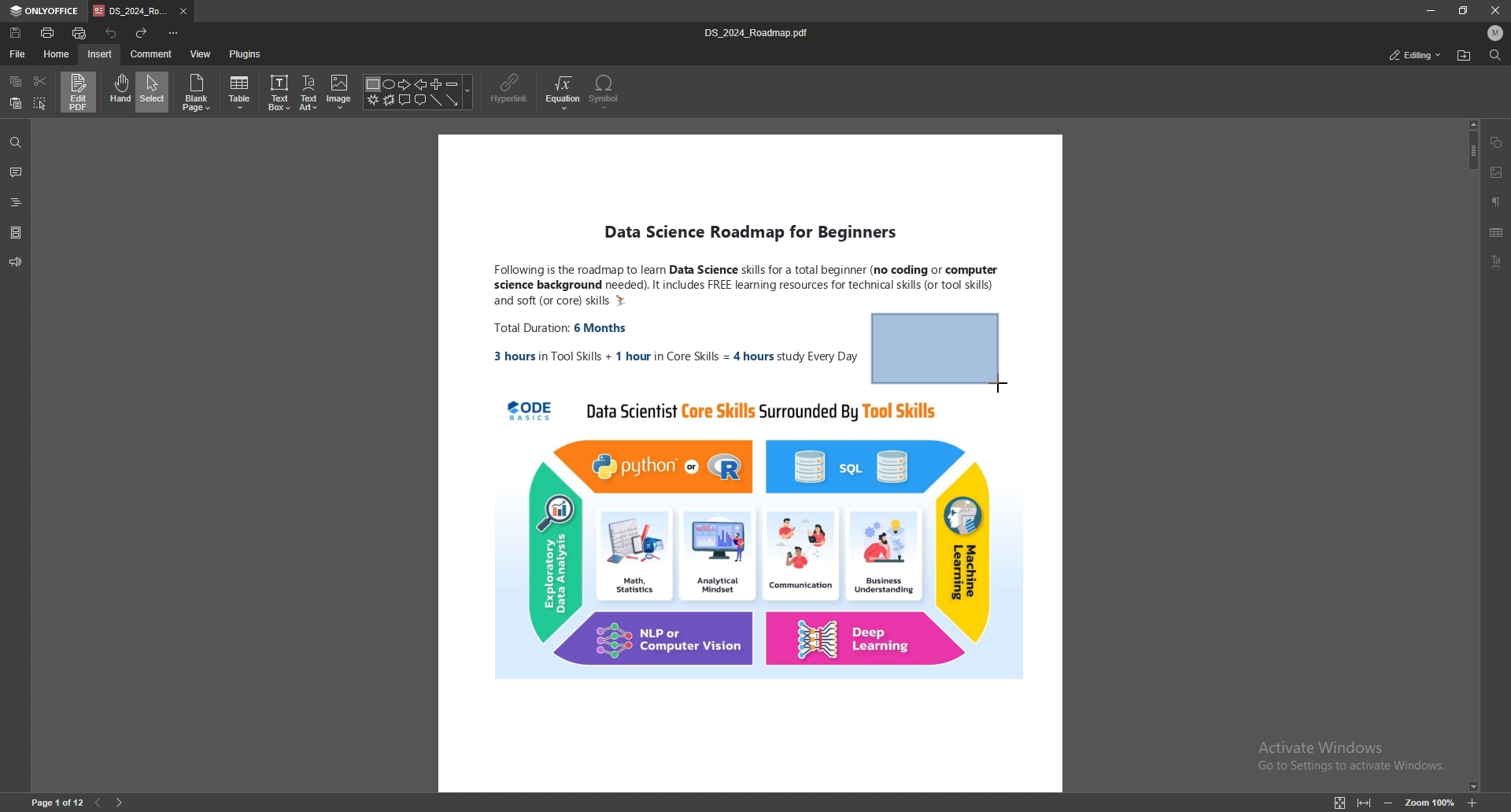 Image resolution: width=1511 pixels, height=812 pixels. What do you see at coordinates (1495, 9) in the screenshot?
I see `close` at bounding box center [1495, 9].